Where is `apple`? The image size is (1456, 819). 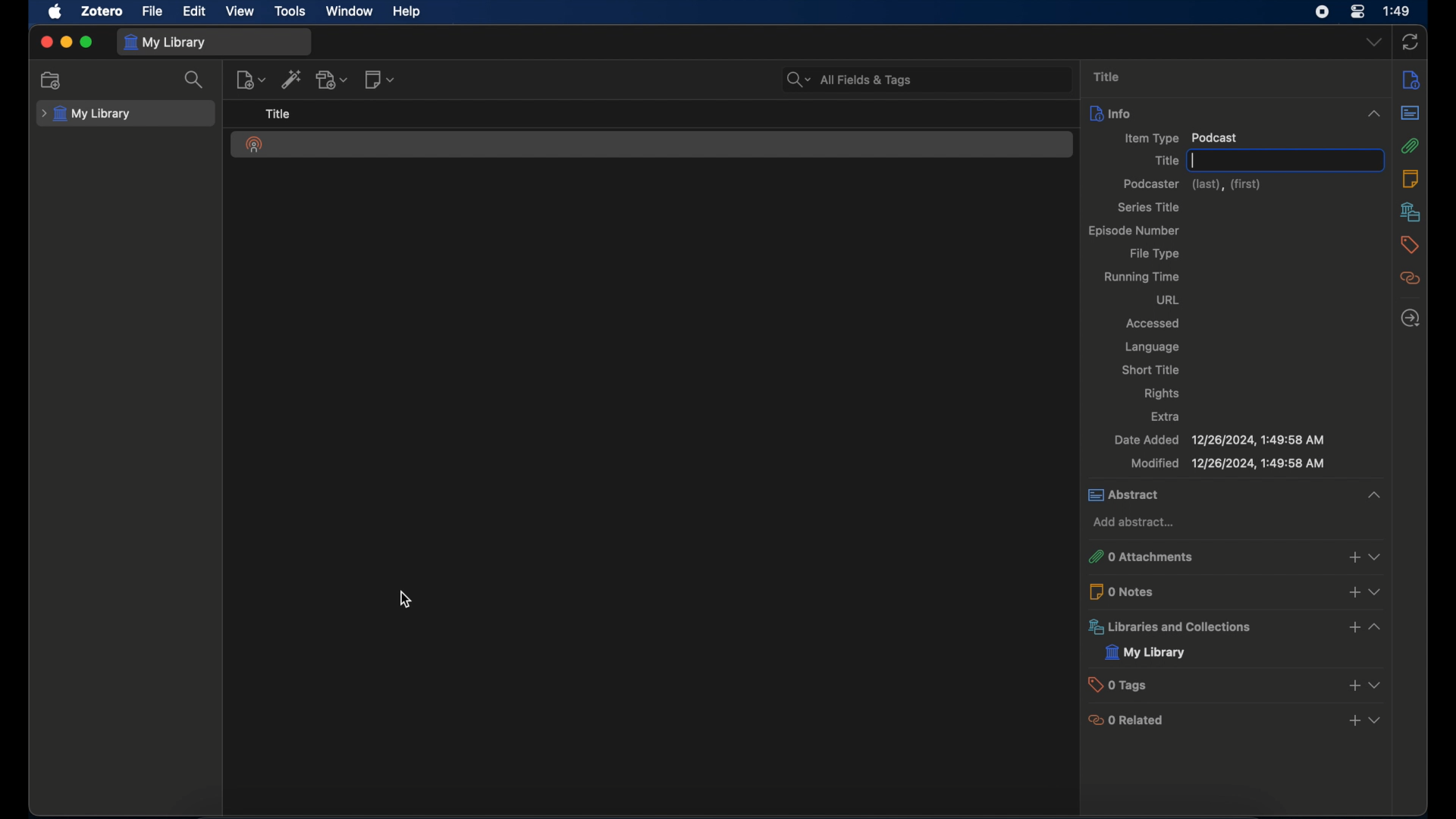
apple is located at coordinates (55, 12).